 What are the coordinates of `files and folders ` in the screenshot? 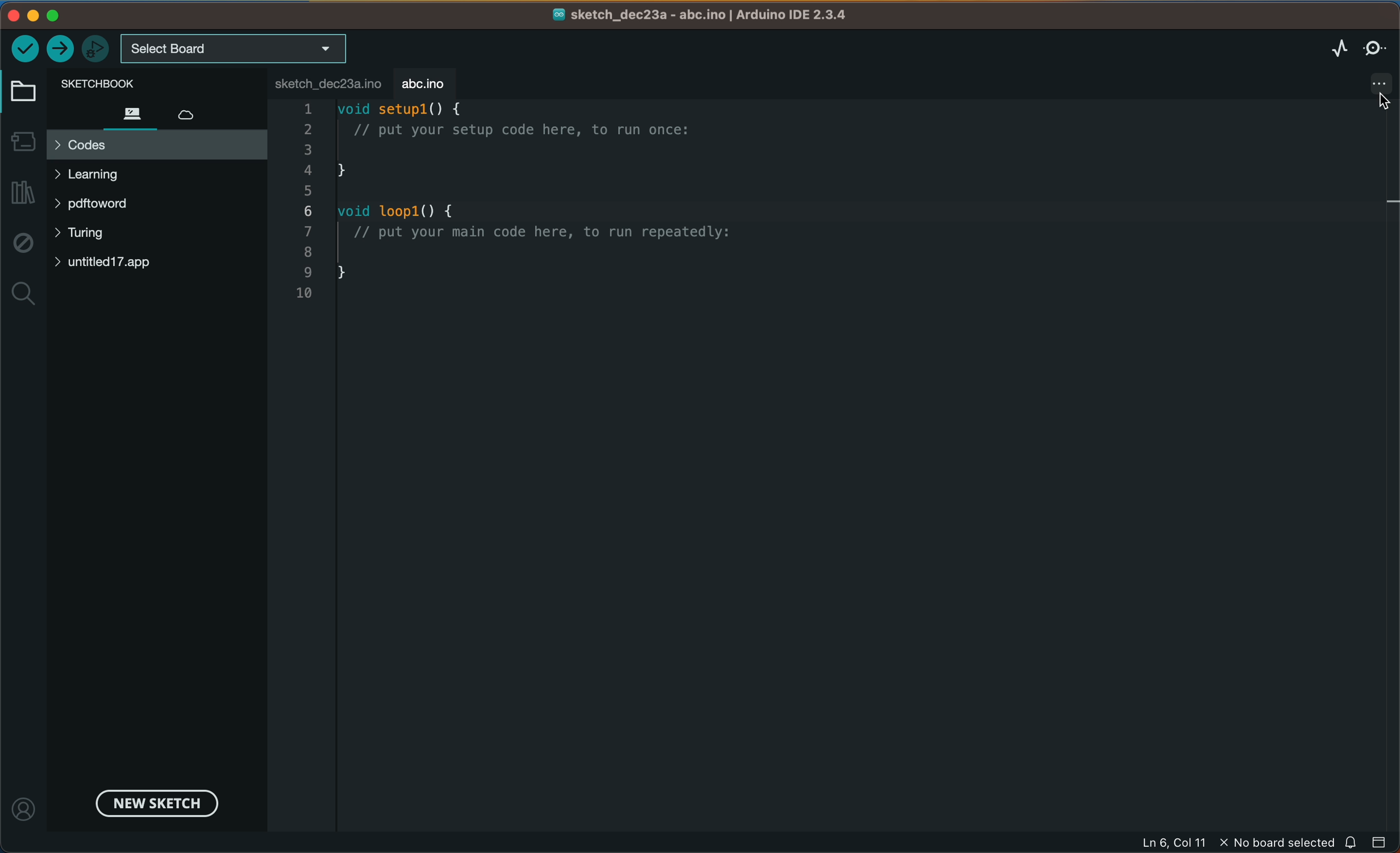 It's located at (156, 220).